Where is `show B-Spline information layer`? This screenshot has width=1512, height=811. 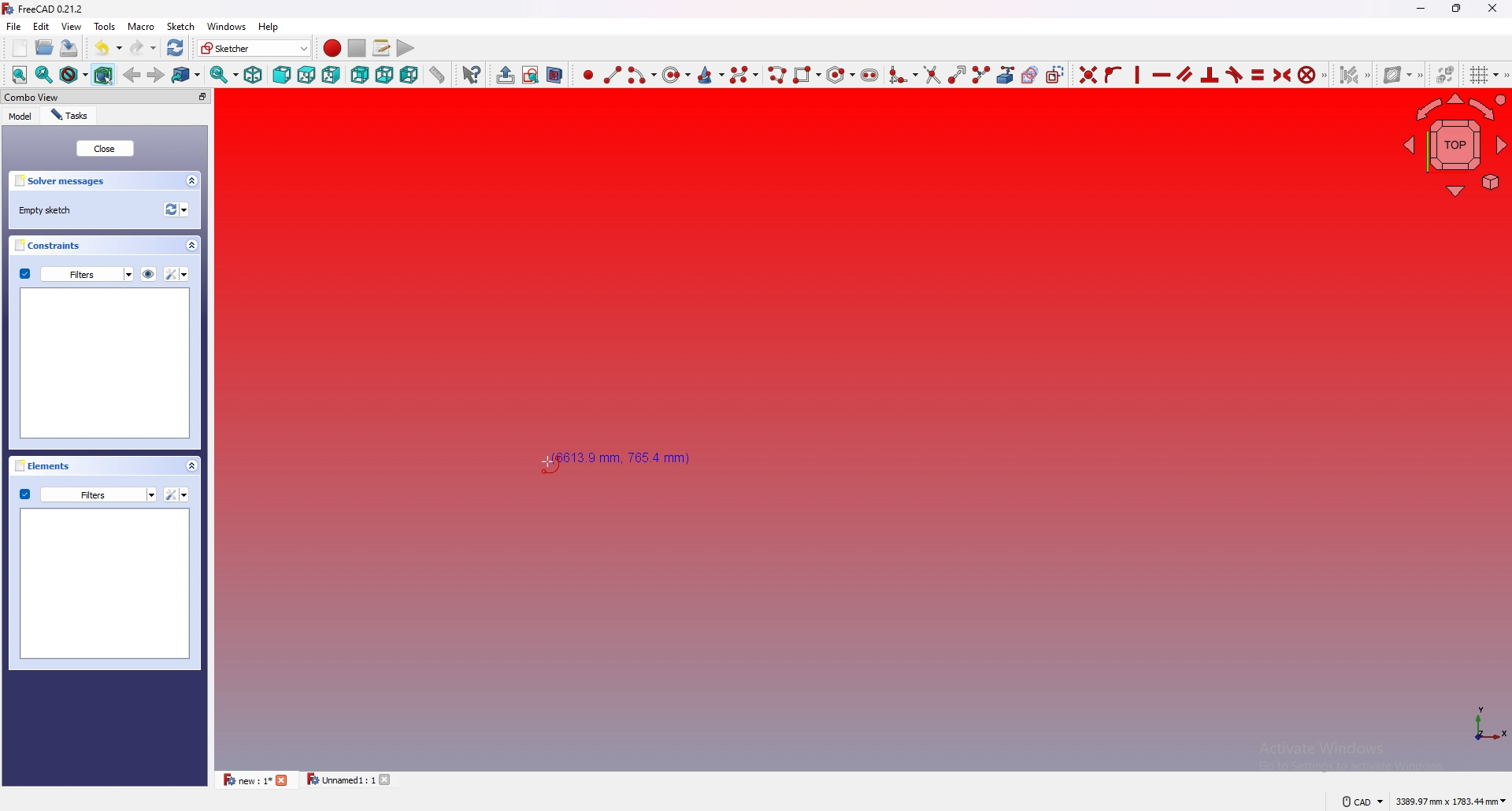
show B-Spline information layer is located at coordinates (1399, 75).